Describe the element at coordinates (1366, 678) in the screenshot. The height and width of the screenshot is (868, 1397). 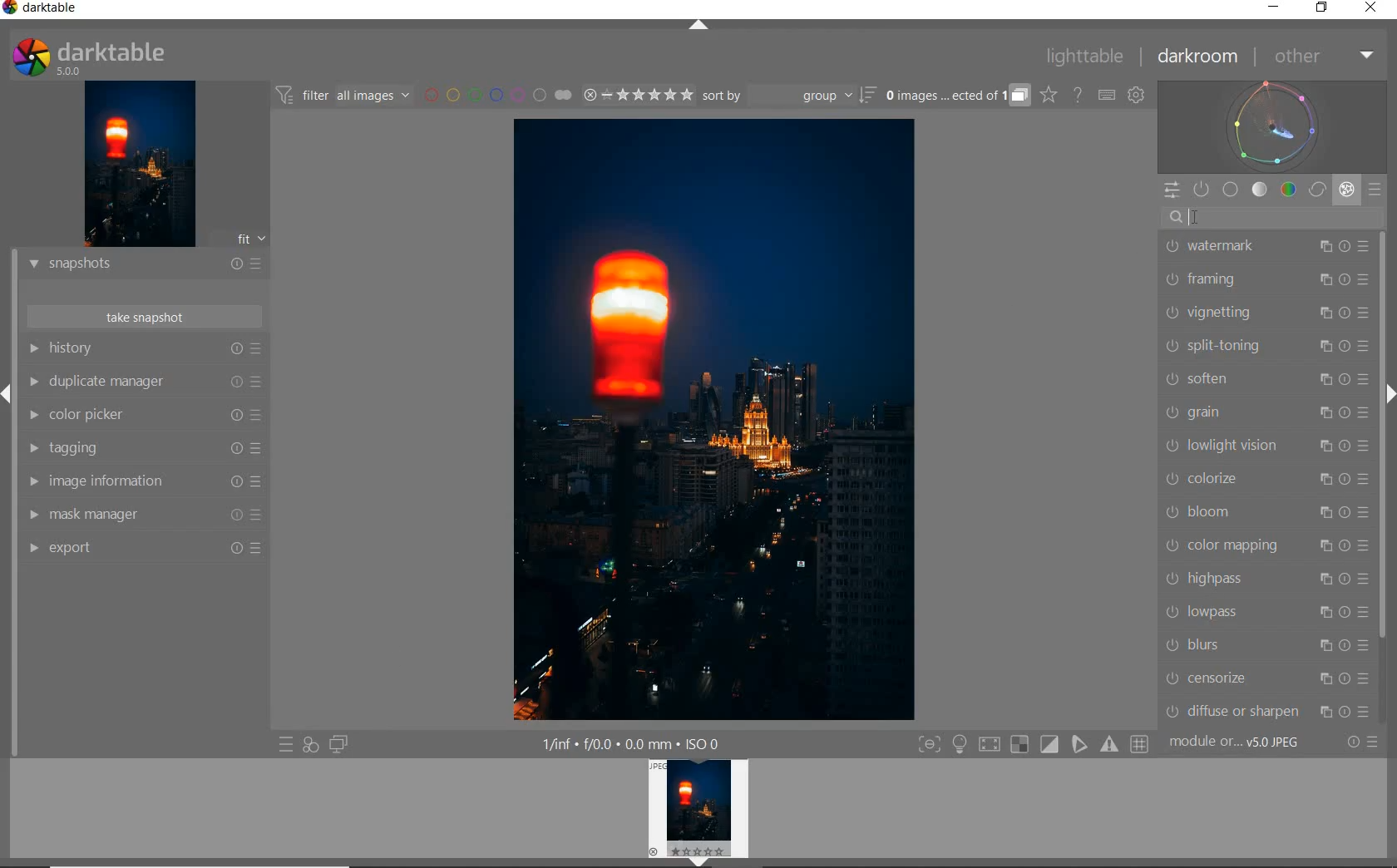
I see `Preset and reset` at that location.